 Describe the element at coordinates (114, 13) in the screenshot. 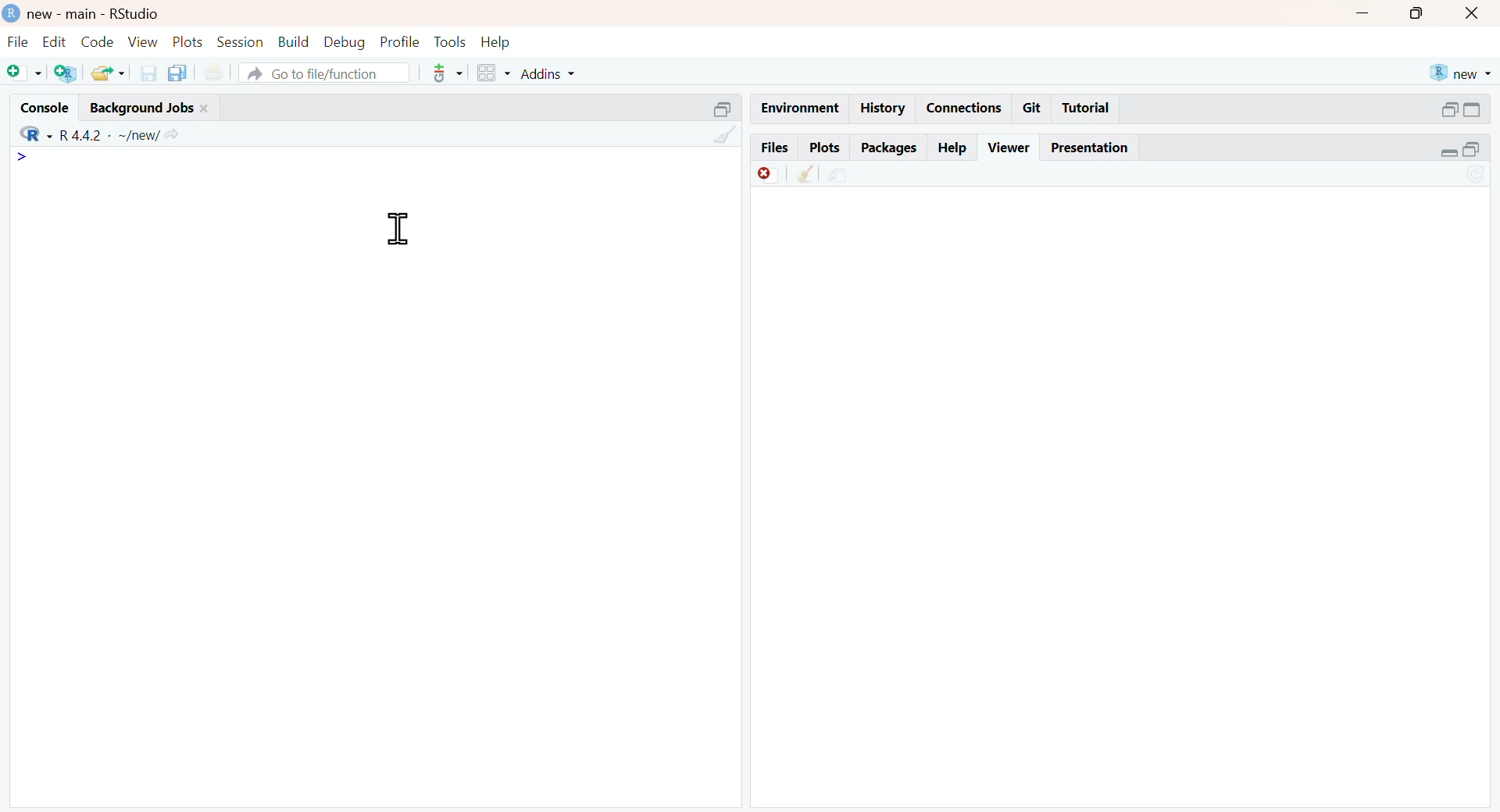

I see `) new - main - RStudio` at that location.